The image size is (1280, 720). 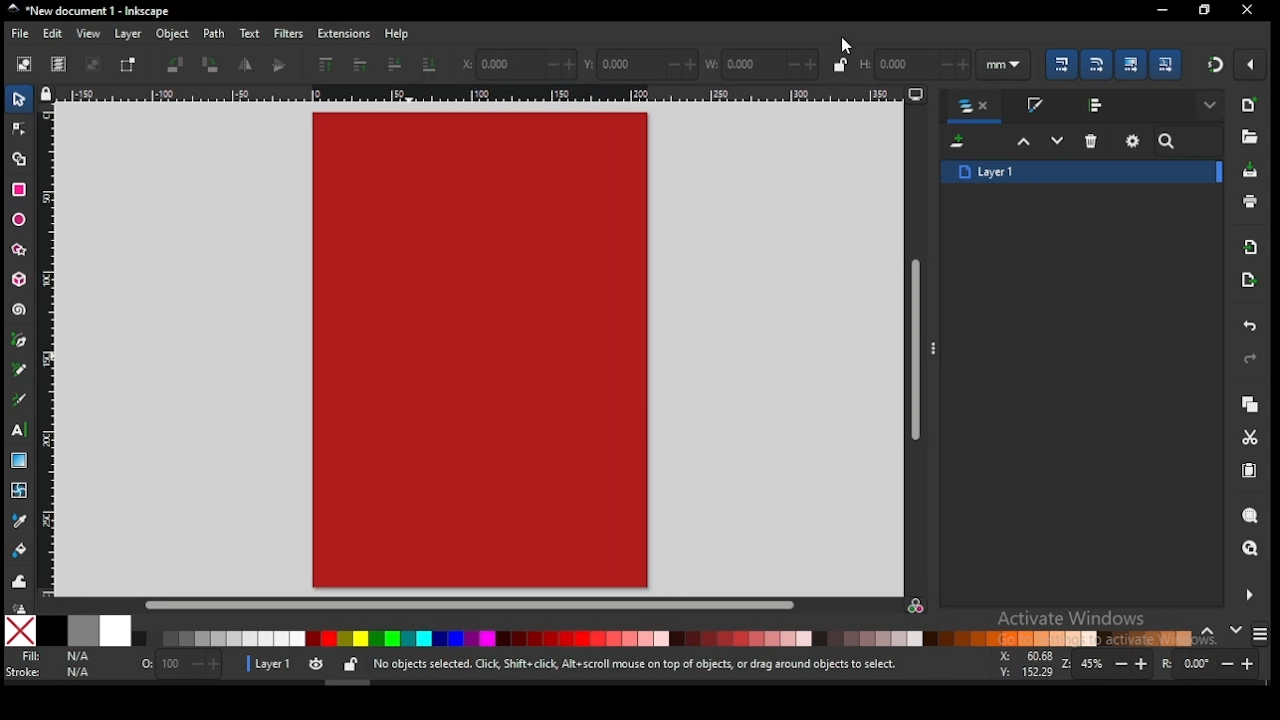 I want to click on edit, so click(x=56, y=34).